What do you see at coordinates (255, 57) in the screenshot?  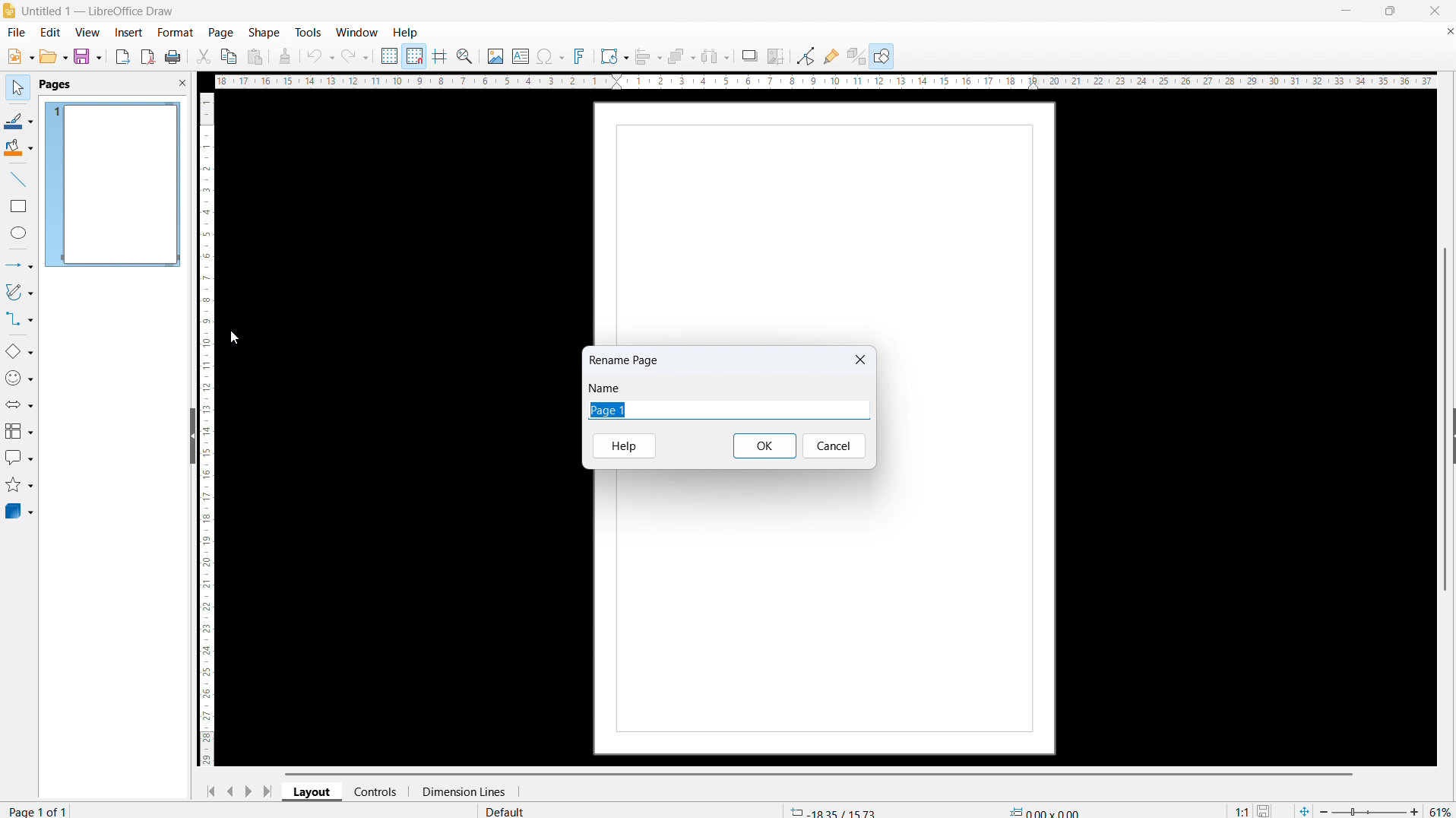 I see `paste` at bounding box center [255, 57].